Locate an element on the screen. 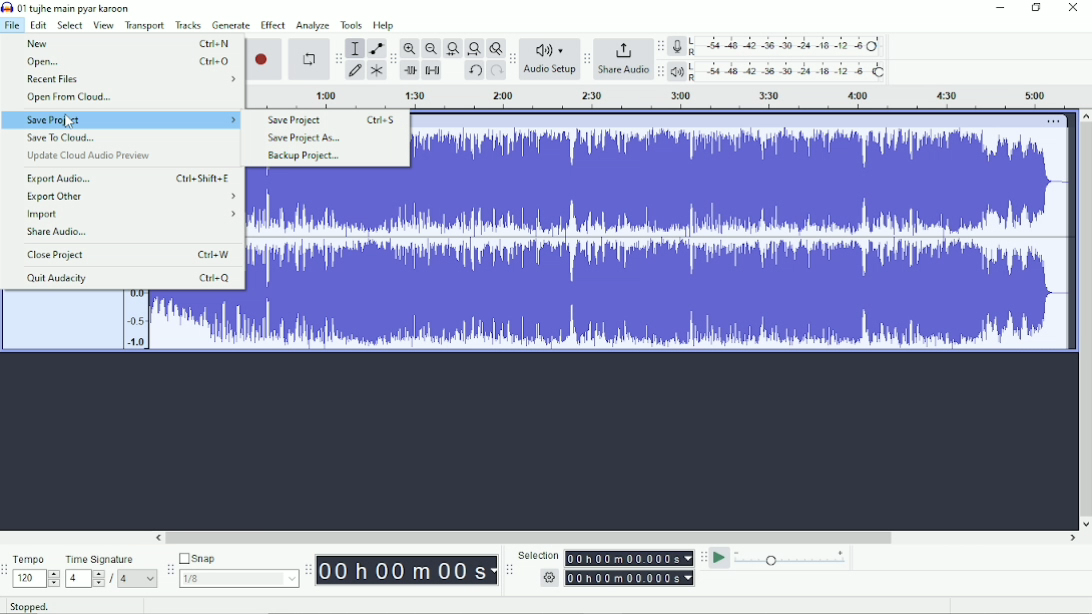 This screenshot has height=614, width=1092. Envelope tool is located at coordinates (377, 49).